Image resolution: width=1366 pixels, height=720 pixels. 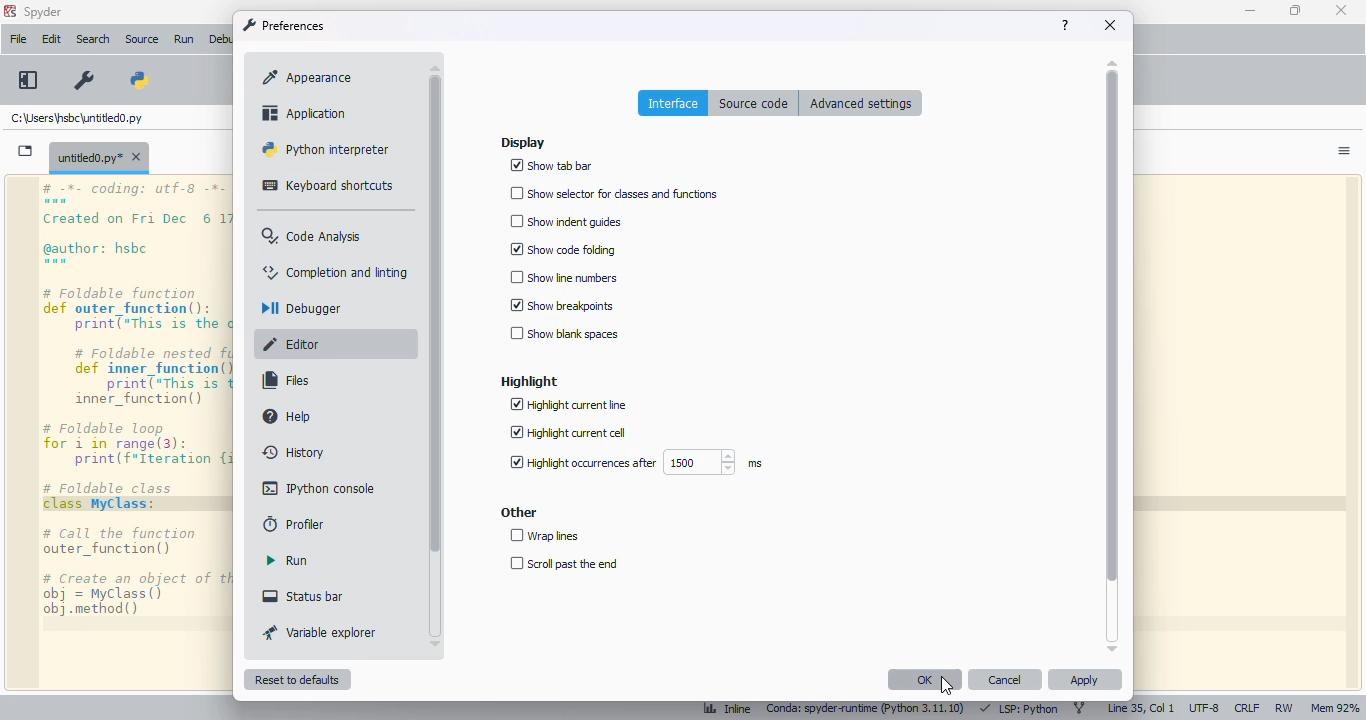 I want to click on file, so click(x=18, y=39).